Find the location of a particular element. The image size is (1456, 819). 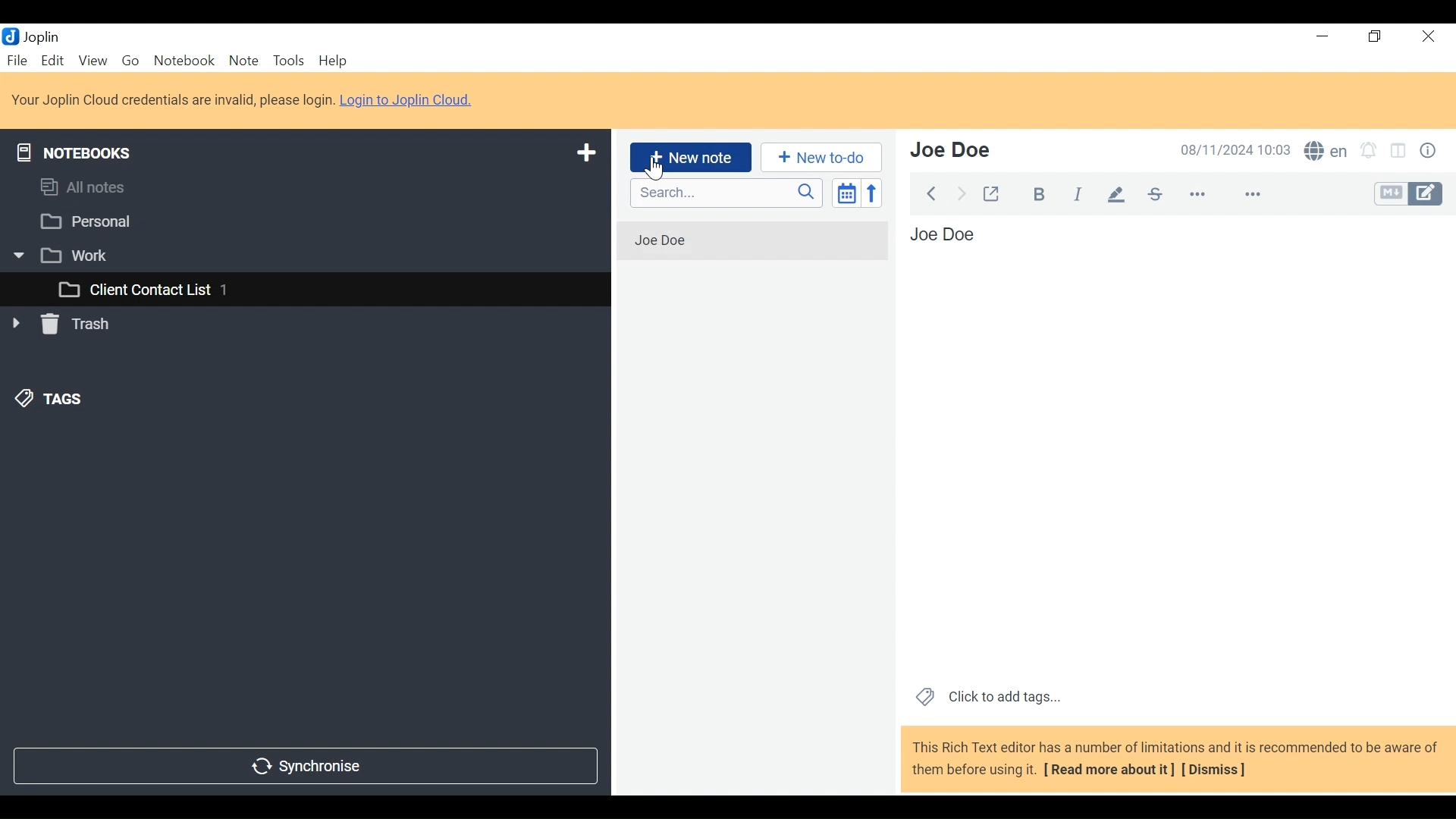

Tags is located at coordinates (46, 401).